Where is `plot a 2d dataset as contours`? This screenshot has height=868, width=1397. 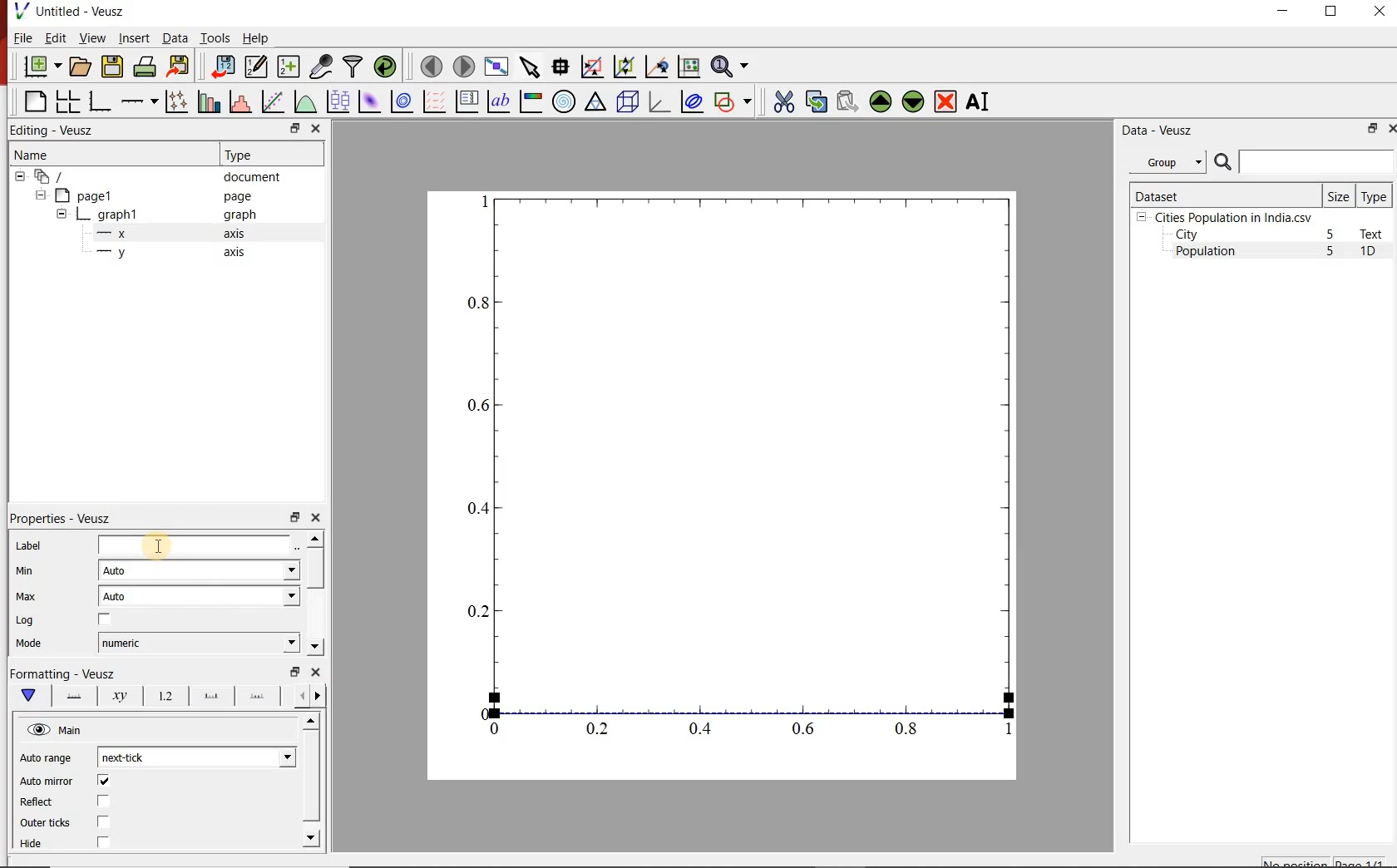 plot a 2d dataset as contours is located at coordinates (400, 101).